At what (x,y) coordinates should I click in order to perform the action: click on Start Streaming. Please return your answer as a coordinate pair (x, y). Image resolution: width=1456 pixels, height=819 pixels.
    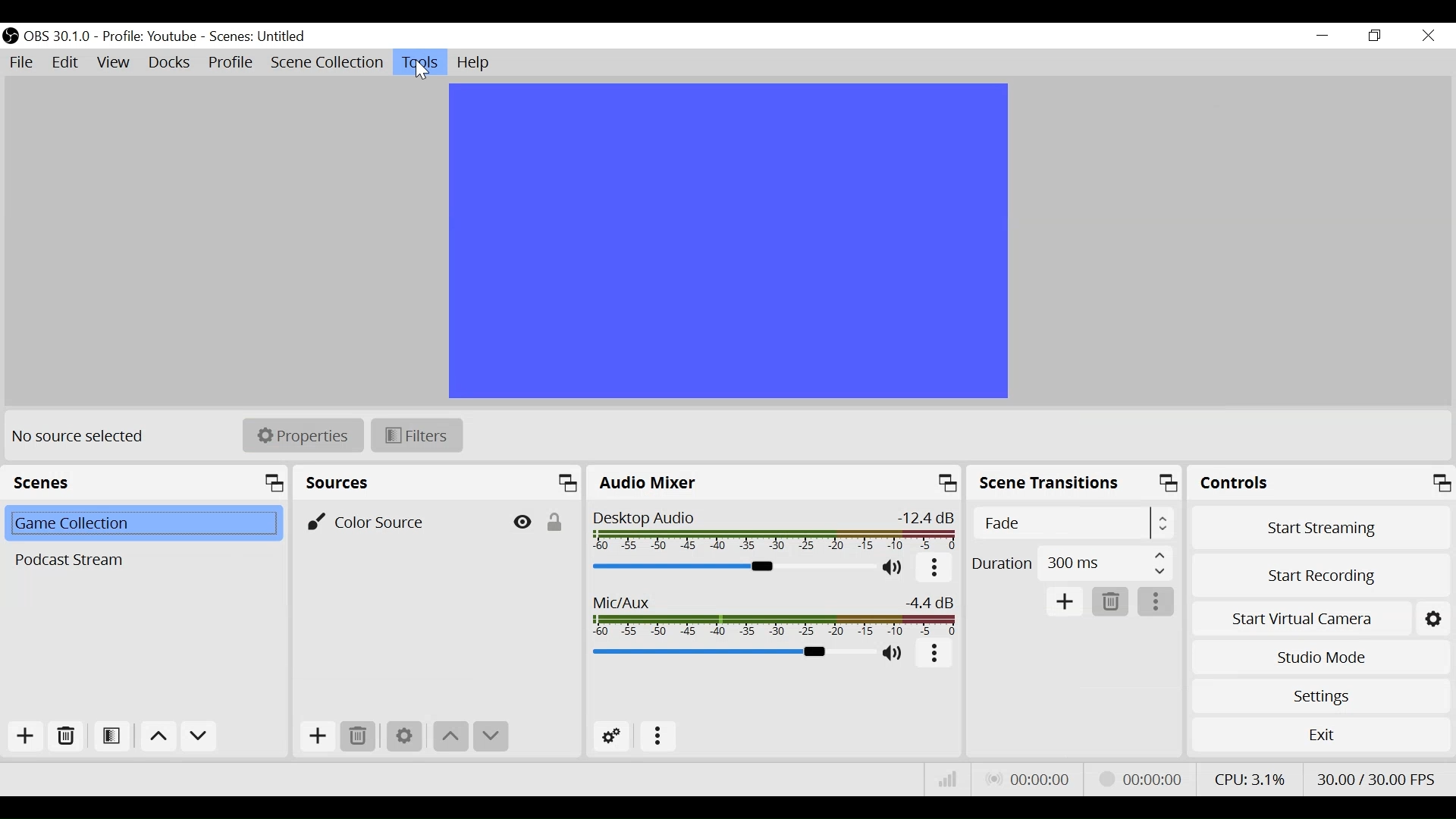
    Looking at the image, I should click on (1317, 526).